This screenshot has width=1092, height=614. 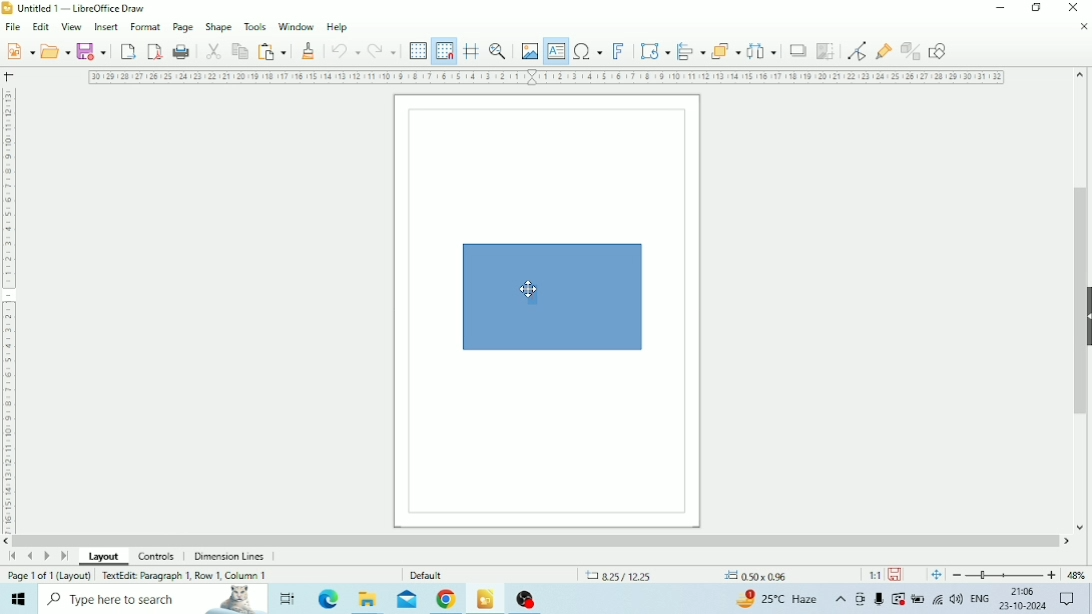 What do you see at coordinates (40, 27) in the screenshot?
I see `Edit` at bounding box center [40, 27].